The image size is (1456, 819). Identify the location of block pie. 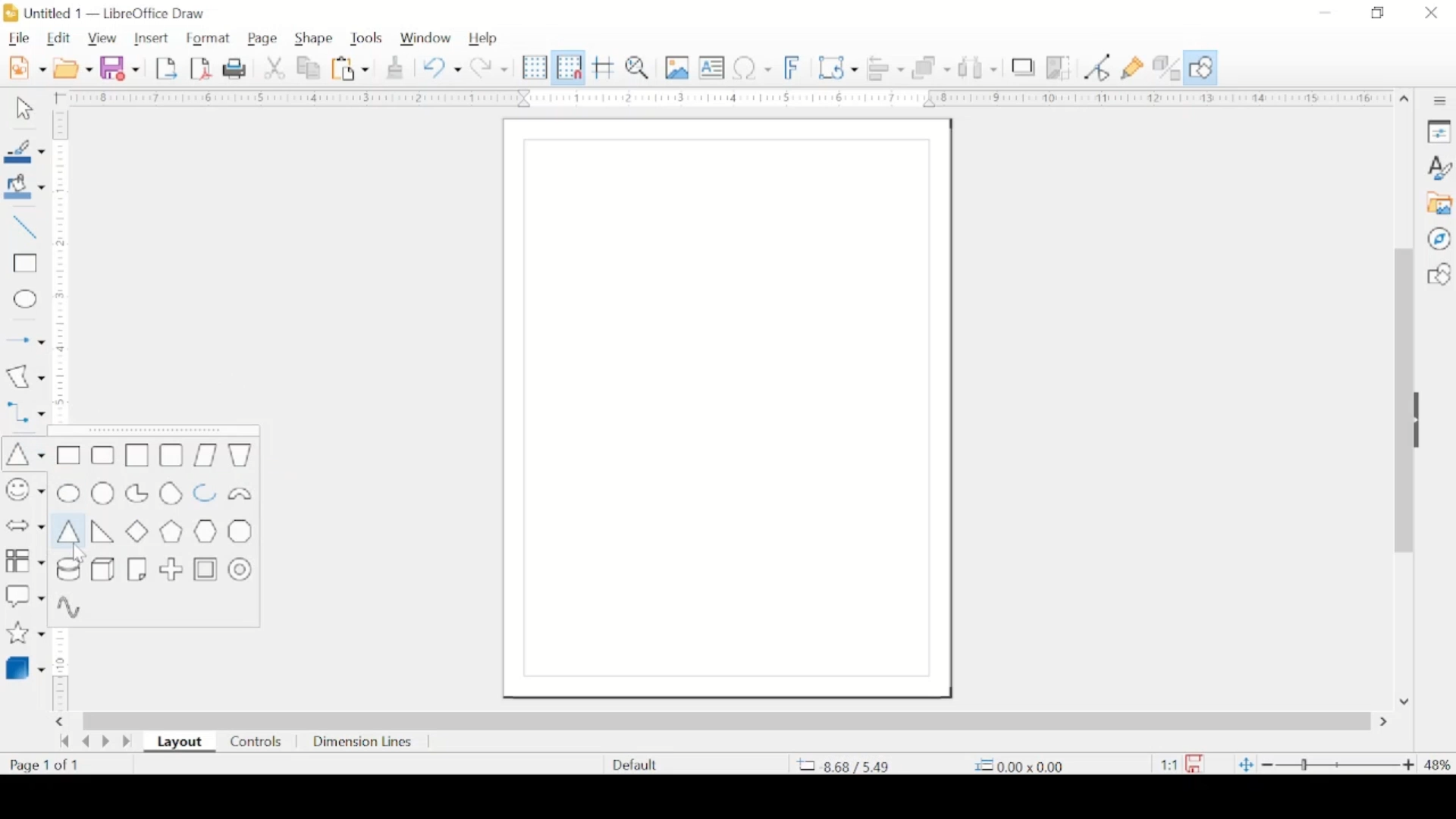
(206, 494).